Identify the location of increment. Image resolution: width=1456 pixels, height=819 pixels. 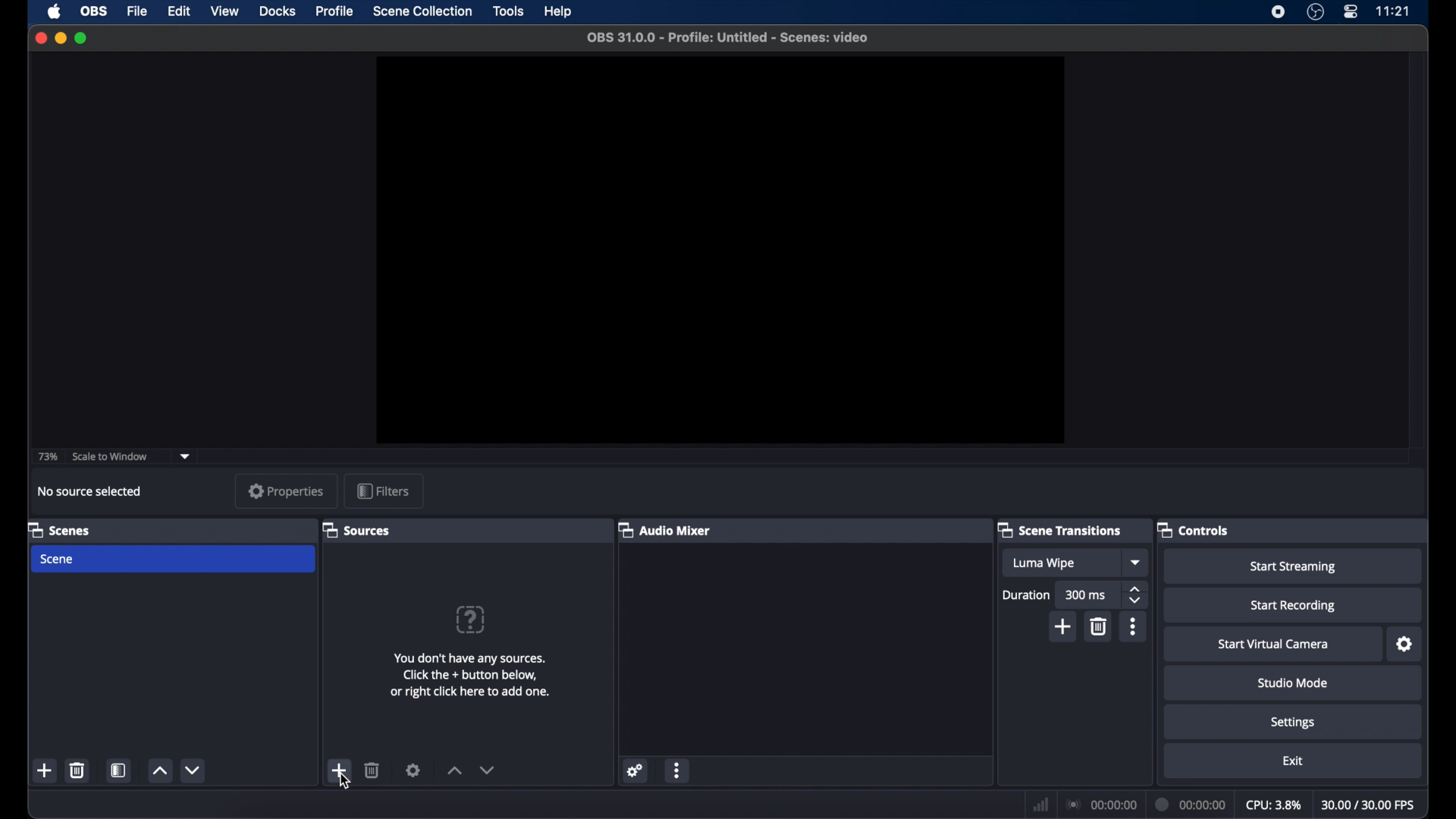
(159, 770).